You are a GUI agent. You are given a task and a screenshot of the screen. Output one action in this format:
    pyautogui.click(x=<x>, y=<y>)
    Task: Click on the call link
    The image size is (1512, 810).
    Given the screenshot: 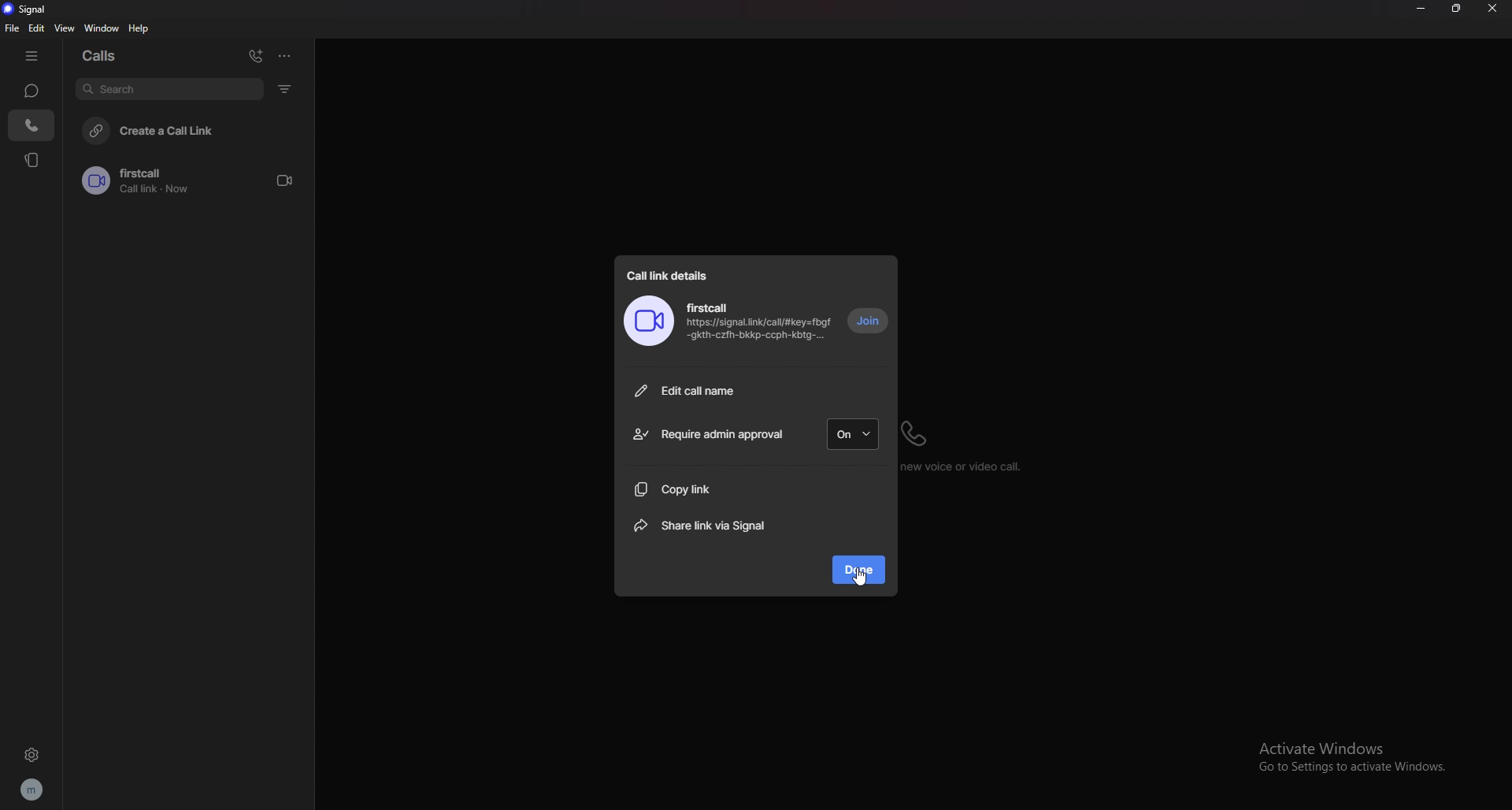 What is the action you would take?
    pyautogui.click(x=195, y=180)
    